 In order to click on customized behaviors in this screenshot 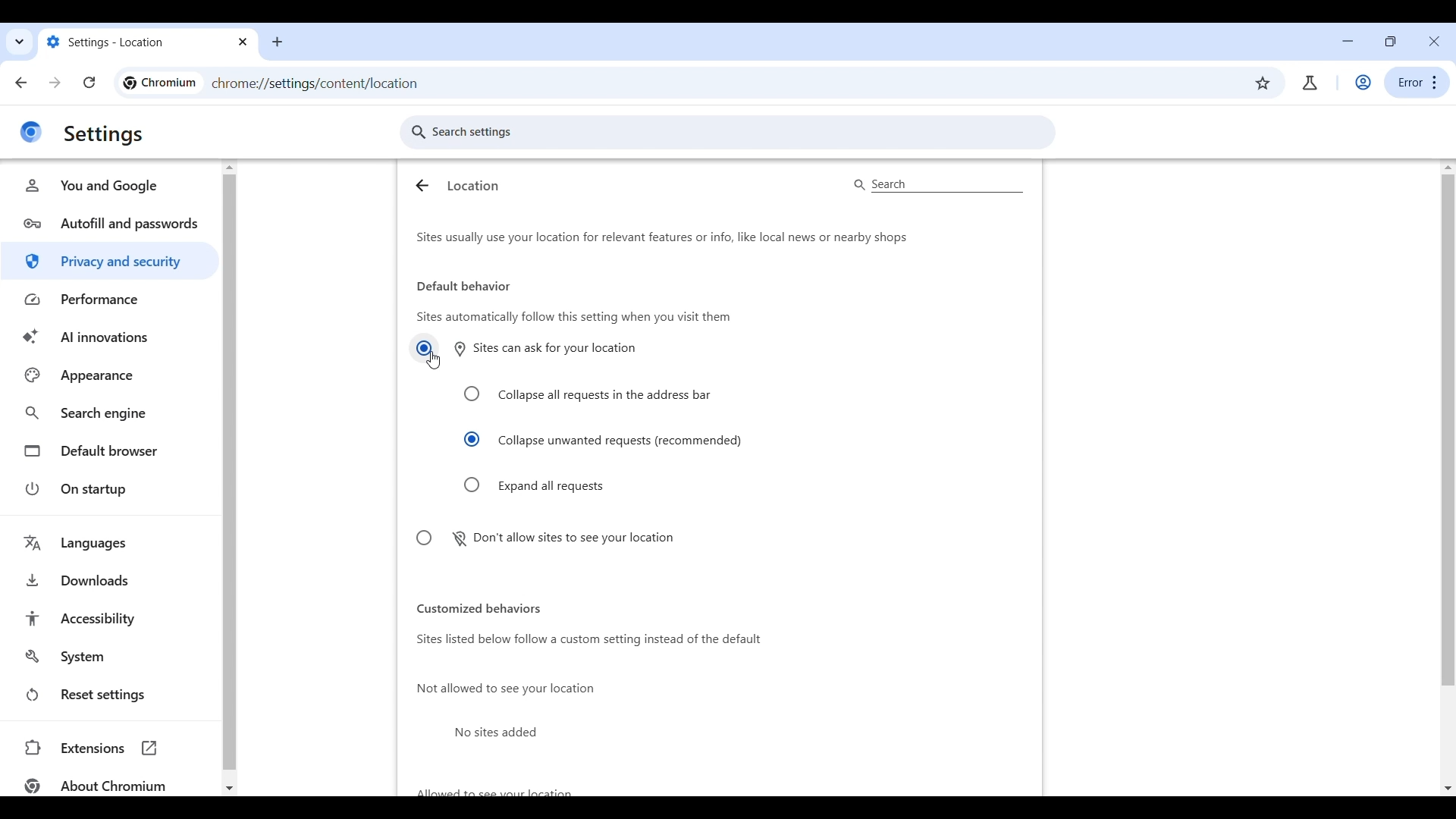, I will do `click(480, 608)`.